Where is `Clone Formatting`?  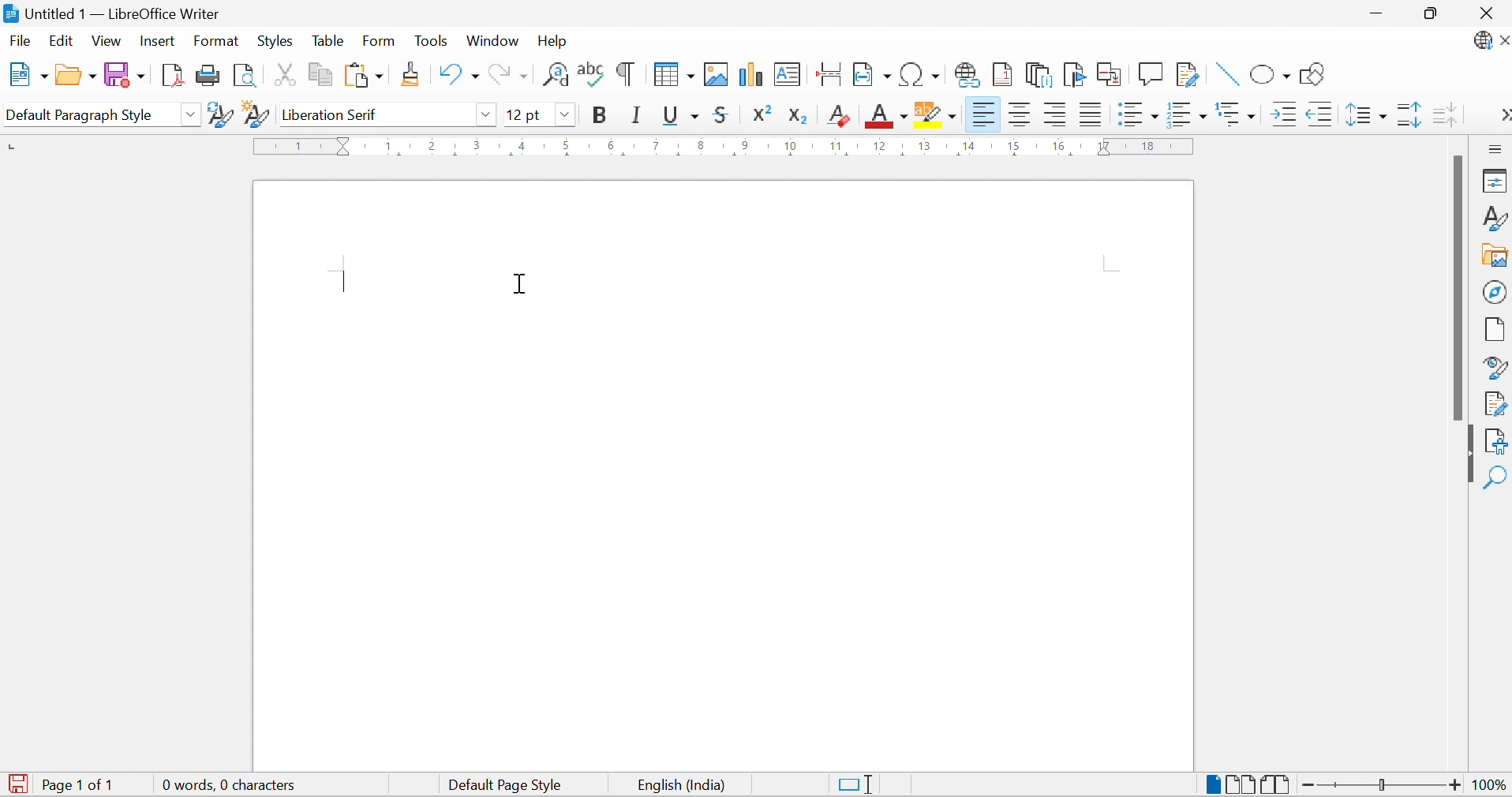
Clone Formatting is located at coordinates (413, 73).